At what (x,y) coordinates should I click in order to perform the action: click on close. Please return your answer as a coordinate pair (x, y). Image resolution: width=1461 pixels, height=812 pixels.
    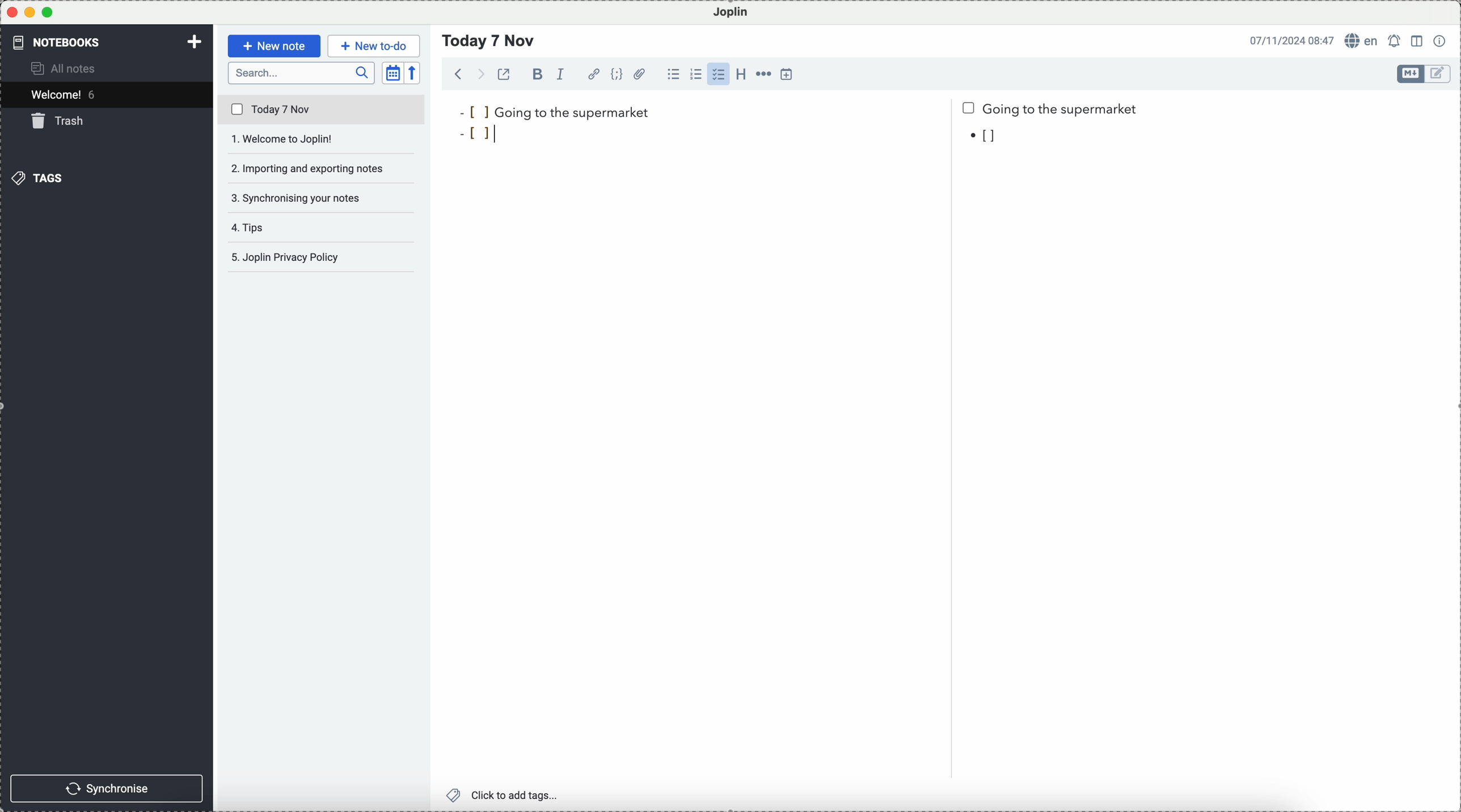
    Looking at the image, I should click on (12, 12).